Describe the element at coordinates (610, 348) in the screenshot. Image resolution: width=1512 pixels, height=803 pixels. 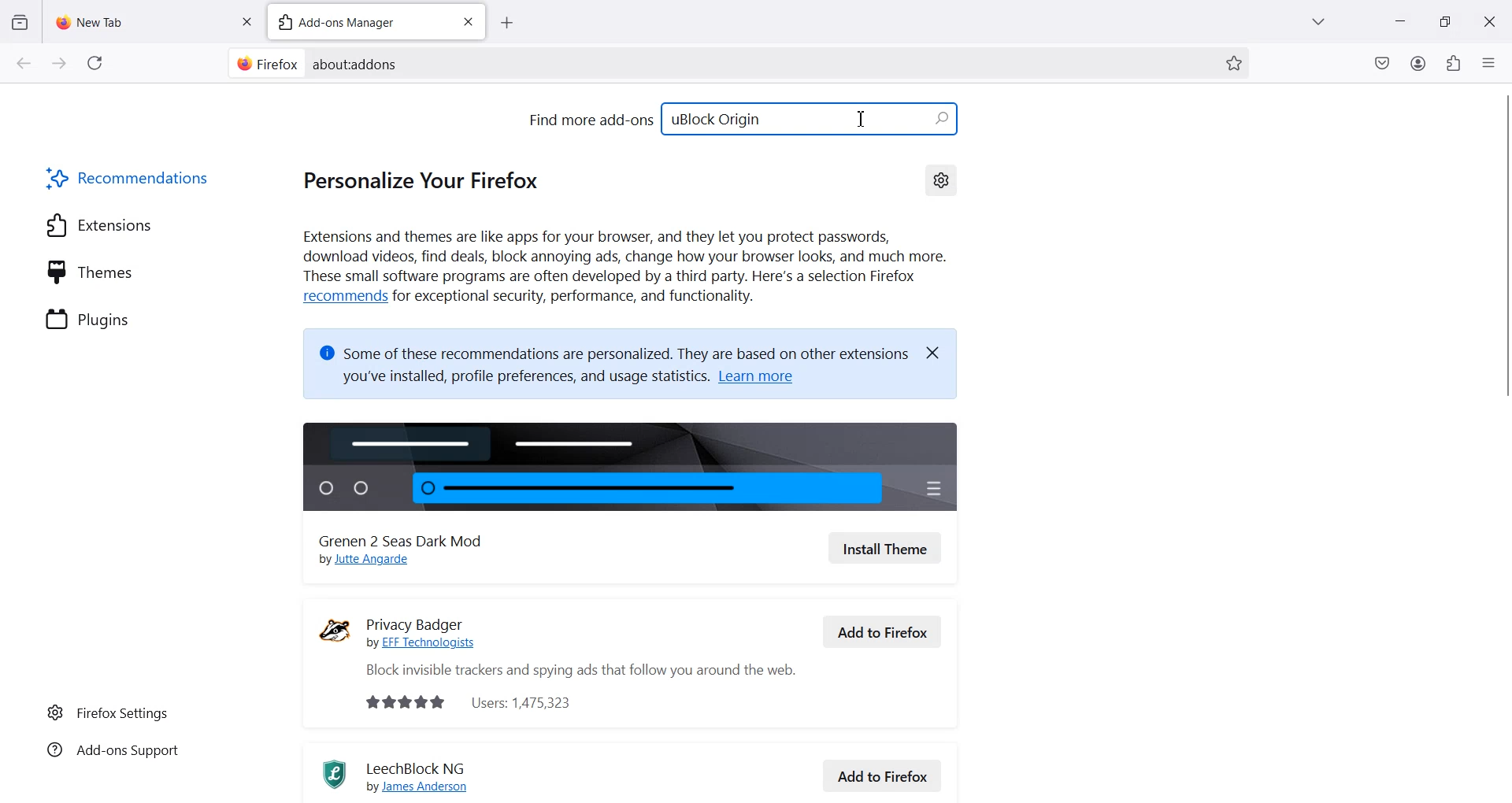
I see `@ Some of these recommendations are personalized. They are based on other extensions` at that location.